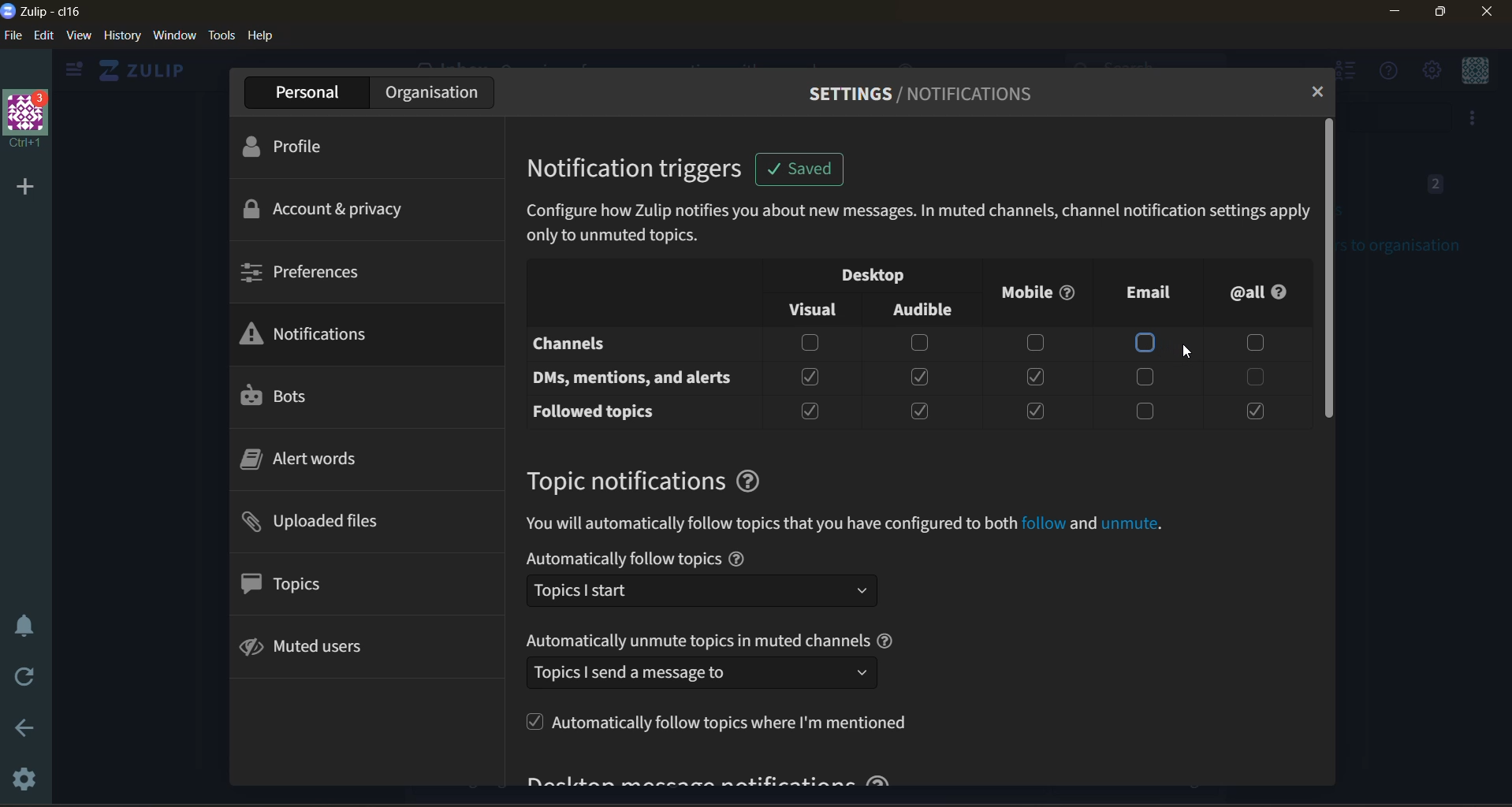 The height and width of the screenshot is (807, 1512). I want to click on settings, so click(20, 776).